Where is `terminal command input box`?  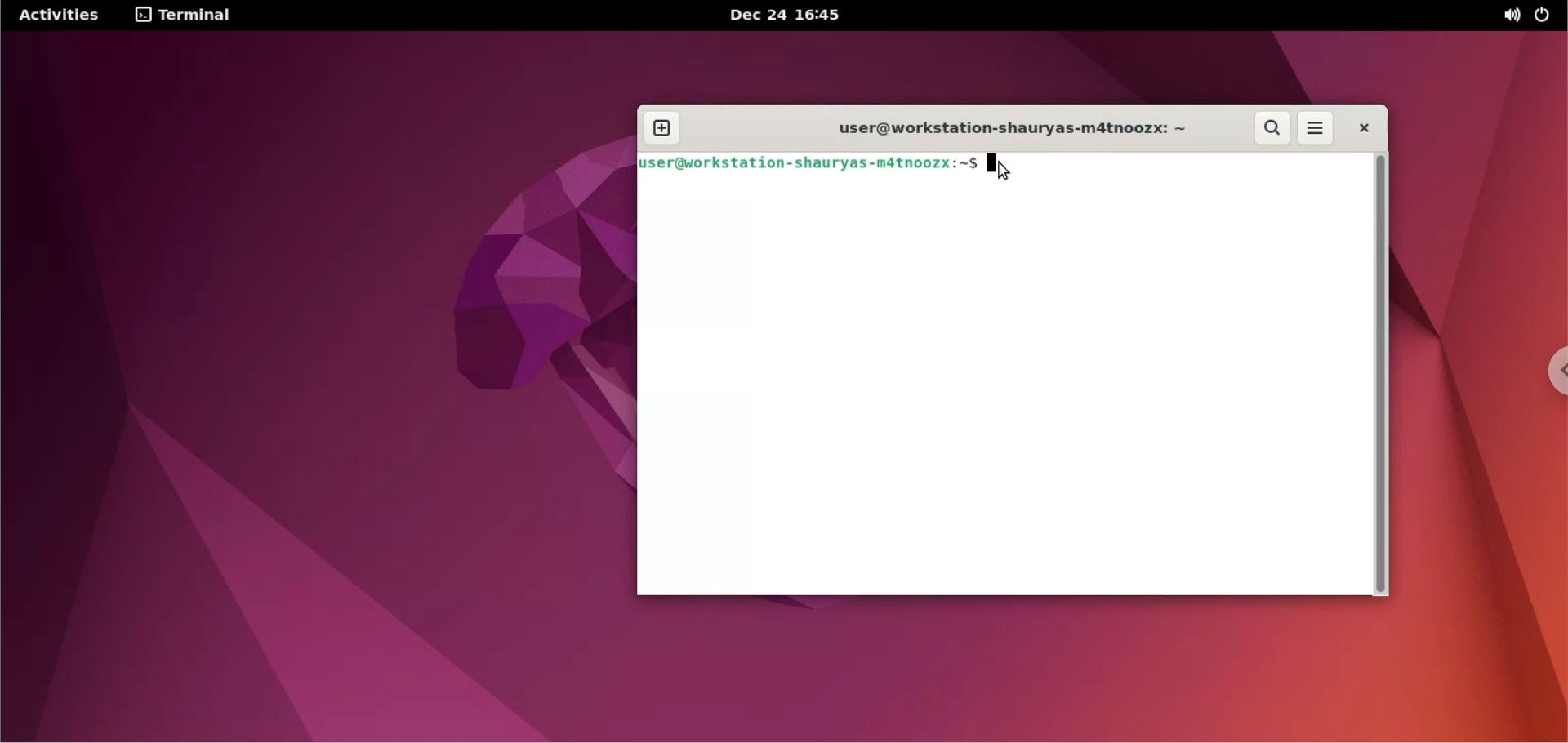 terminal command input box is located at coordinates (1208, 163).